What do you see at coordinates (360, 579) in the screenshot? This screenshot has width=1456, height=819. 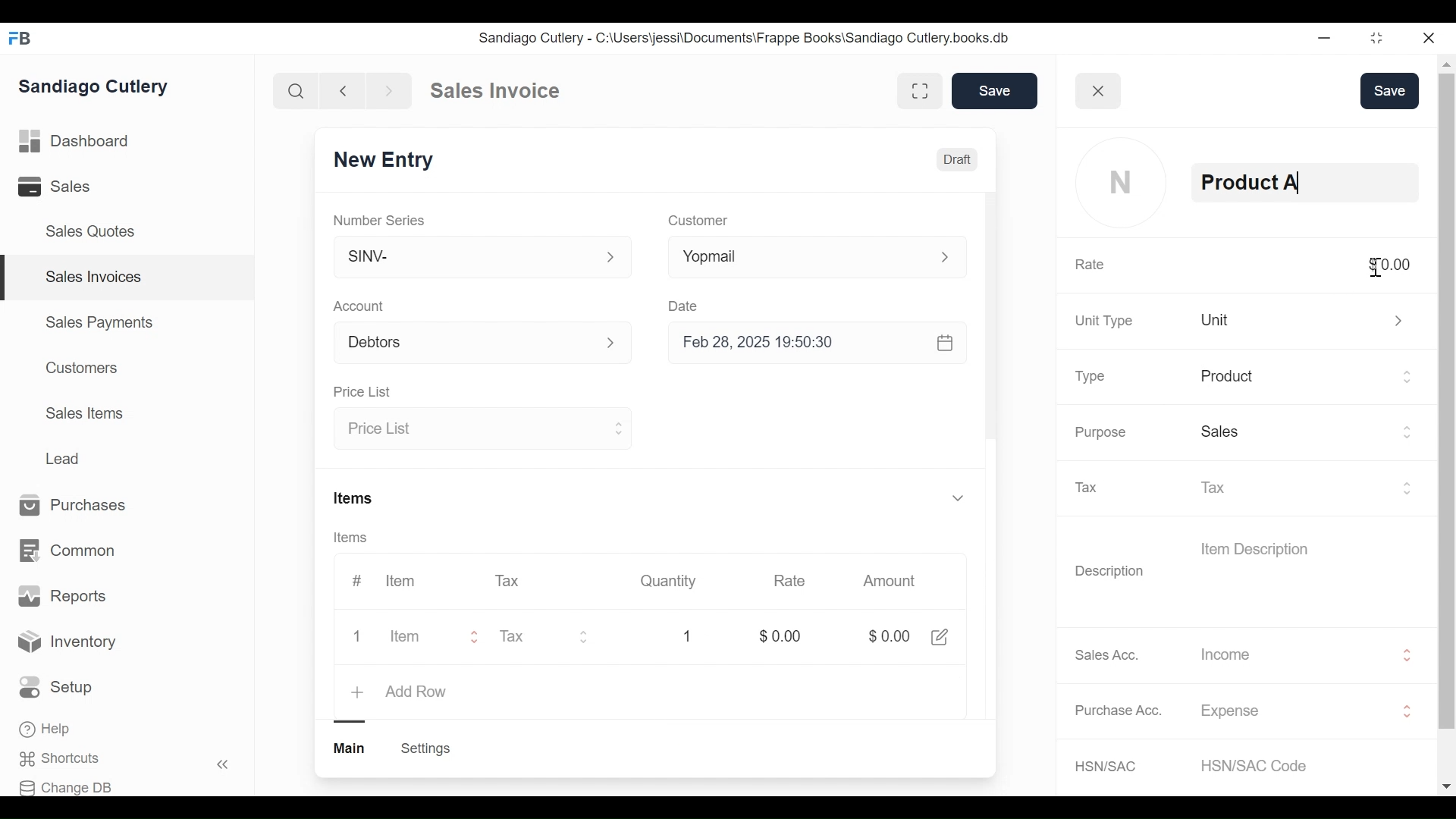 I see `#` at bounding box center [360, 579].